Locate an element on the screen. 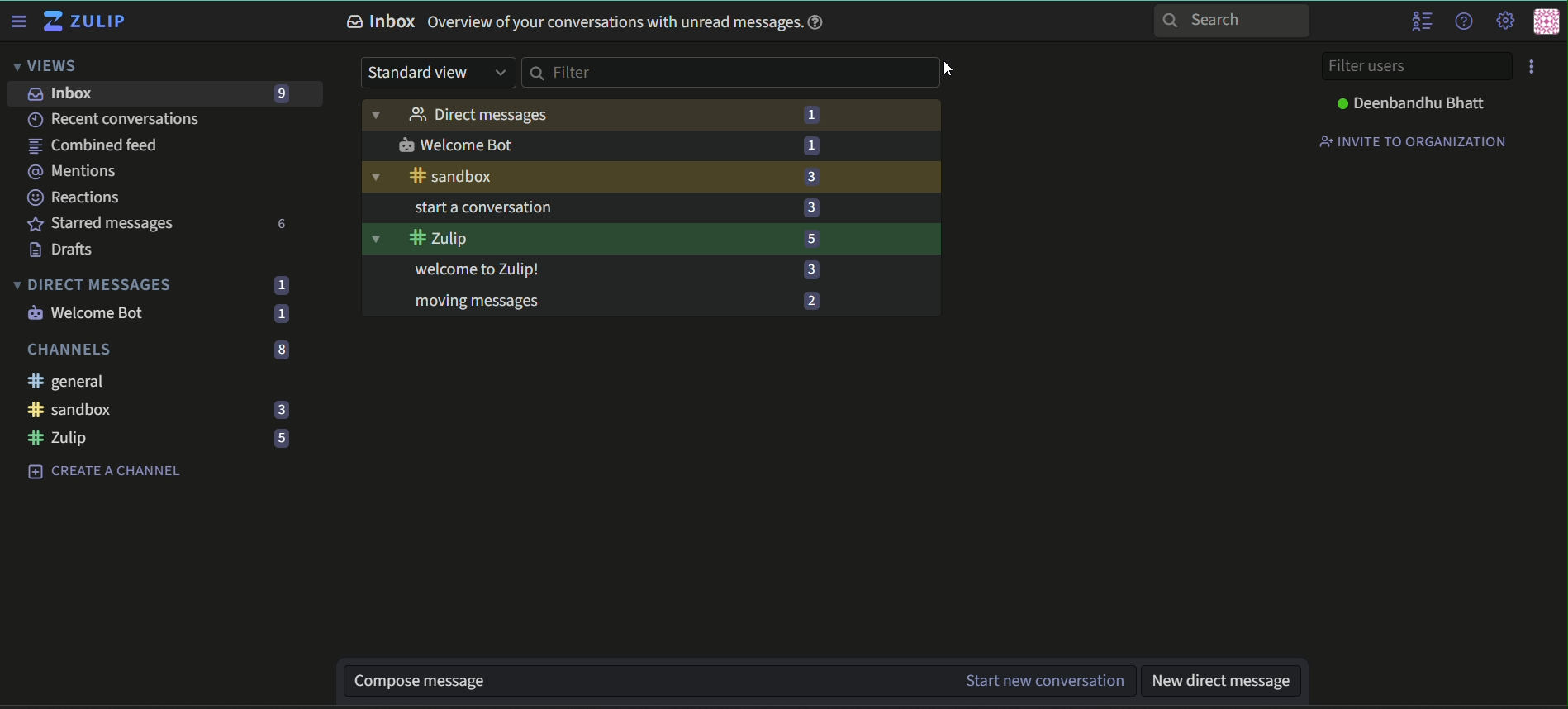  Views is located at coordinates (46, 64).